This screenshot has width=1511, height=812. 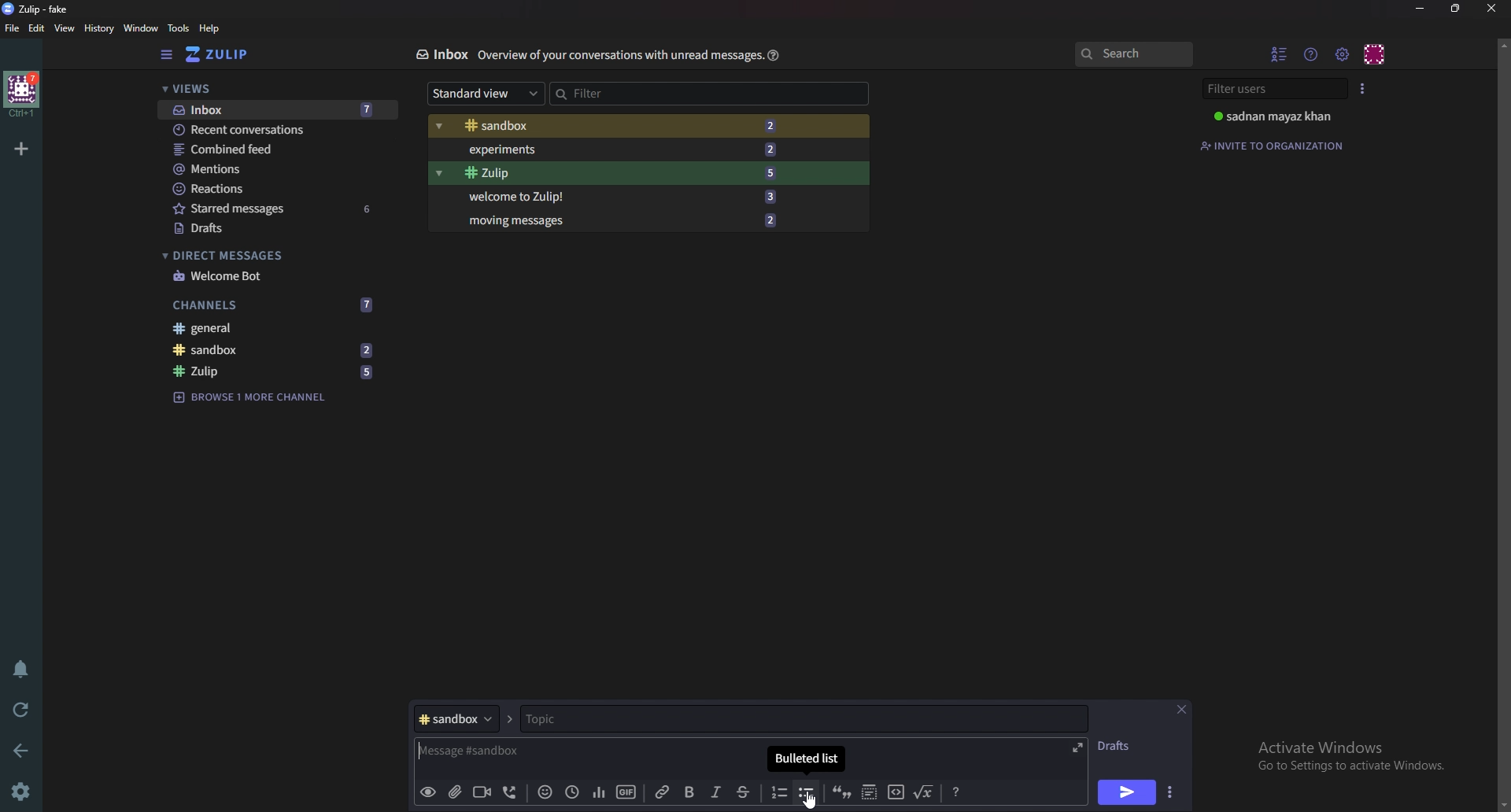 I want to click on poll, so click(x=599, y=791).